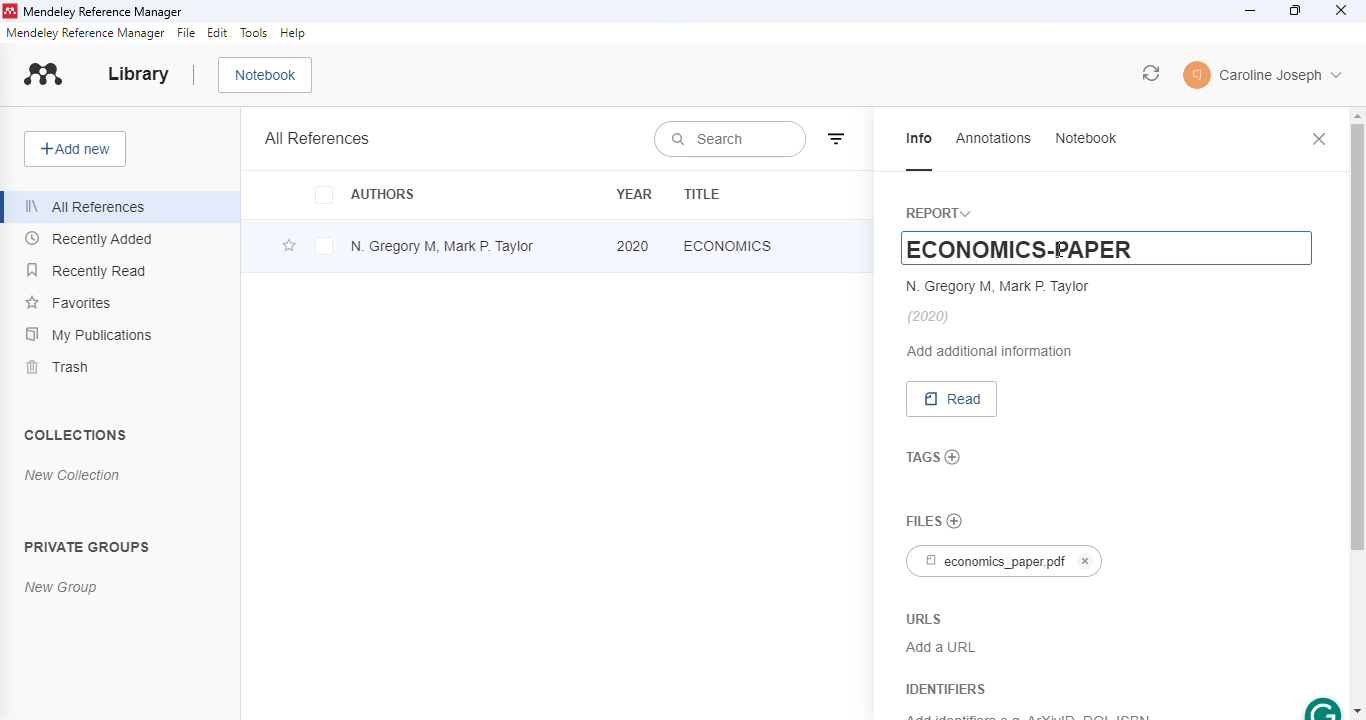 The image size is (1366, 720). I want to click on recently added, so click(88, 239).